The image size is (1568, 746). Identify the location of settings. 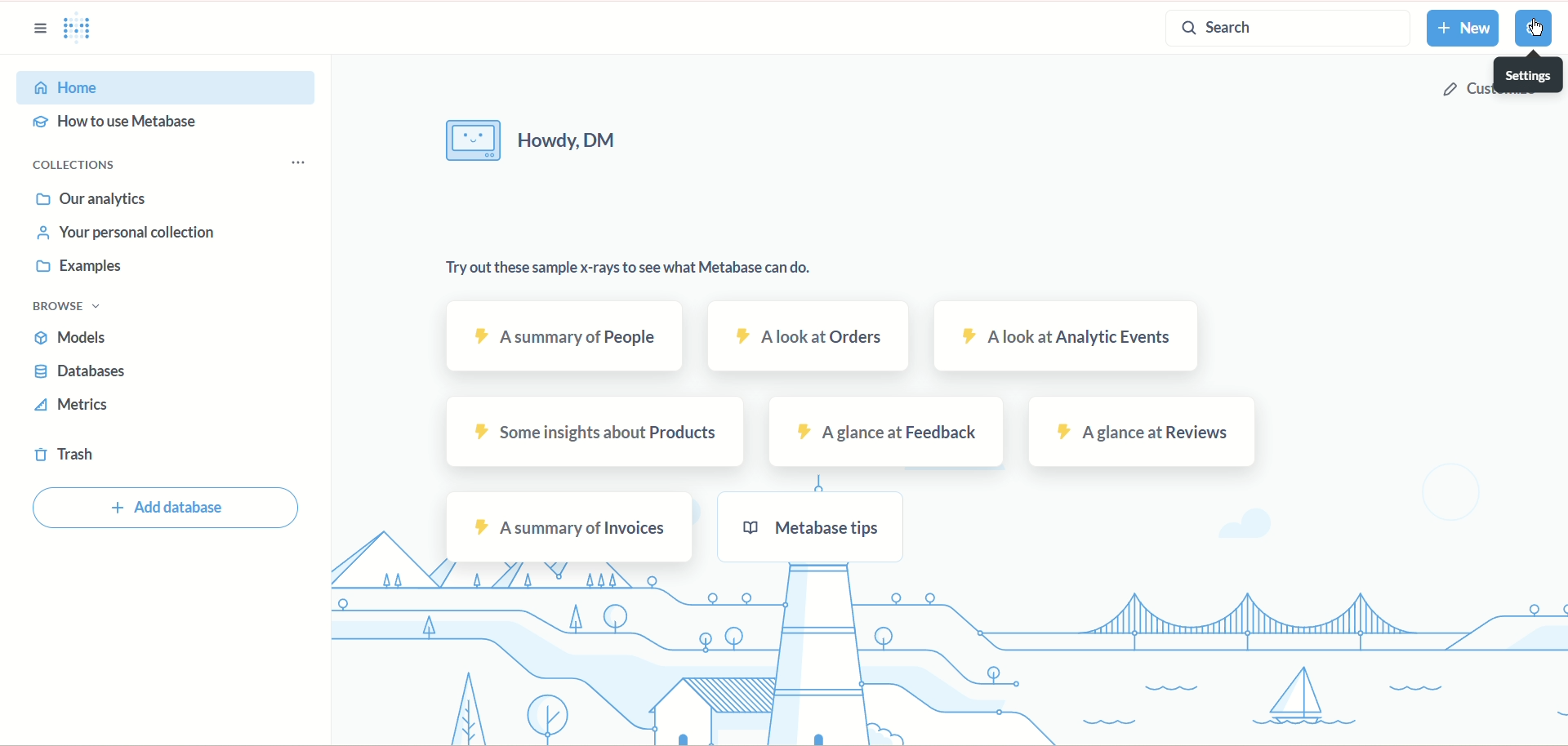
(1530, 30).